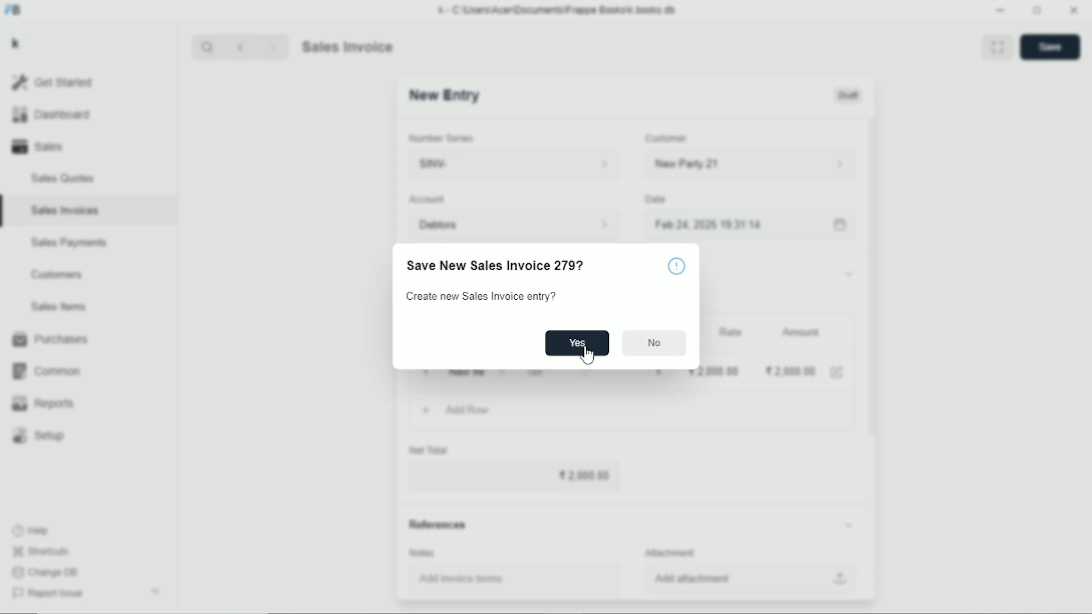  I want to click on FB, so click(14, 10).